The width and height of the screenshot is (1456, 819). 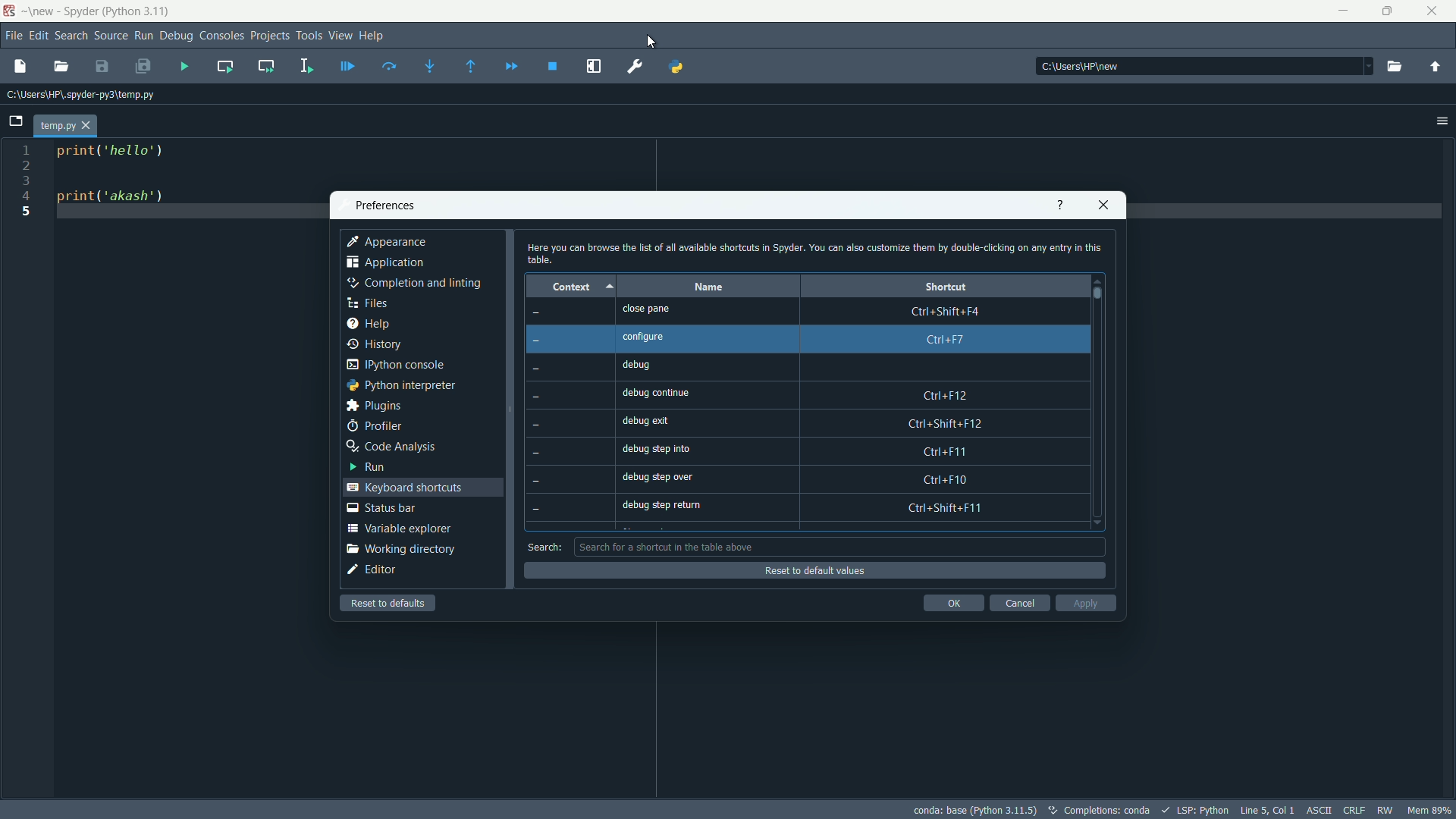 What do you see at coordinates (816, 338) in the screenshot?
I see `configure Ctrl+F7` at bounding box center [816, 338].